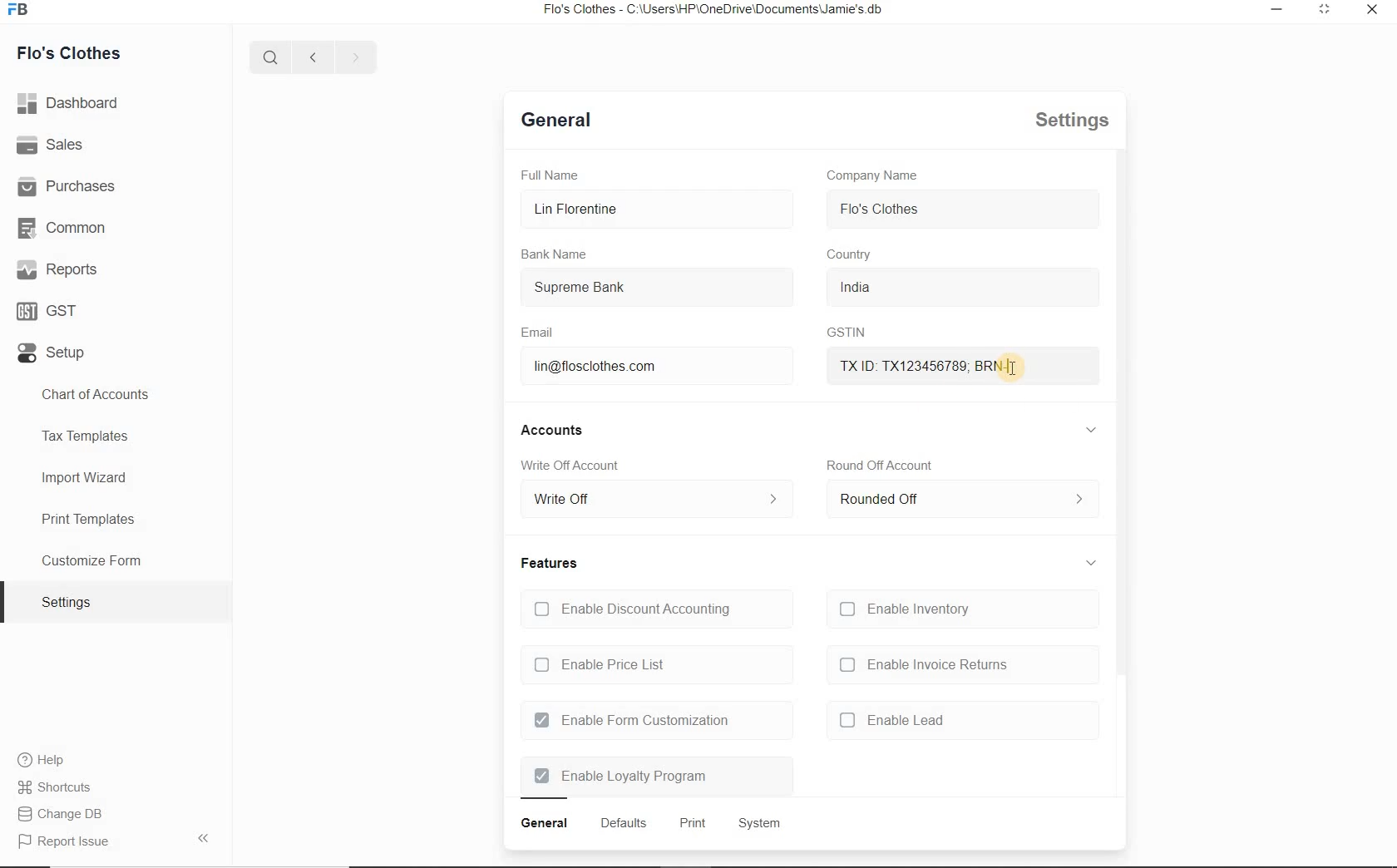  I want to click on Enable Form Customization, so click(631, 721).